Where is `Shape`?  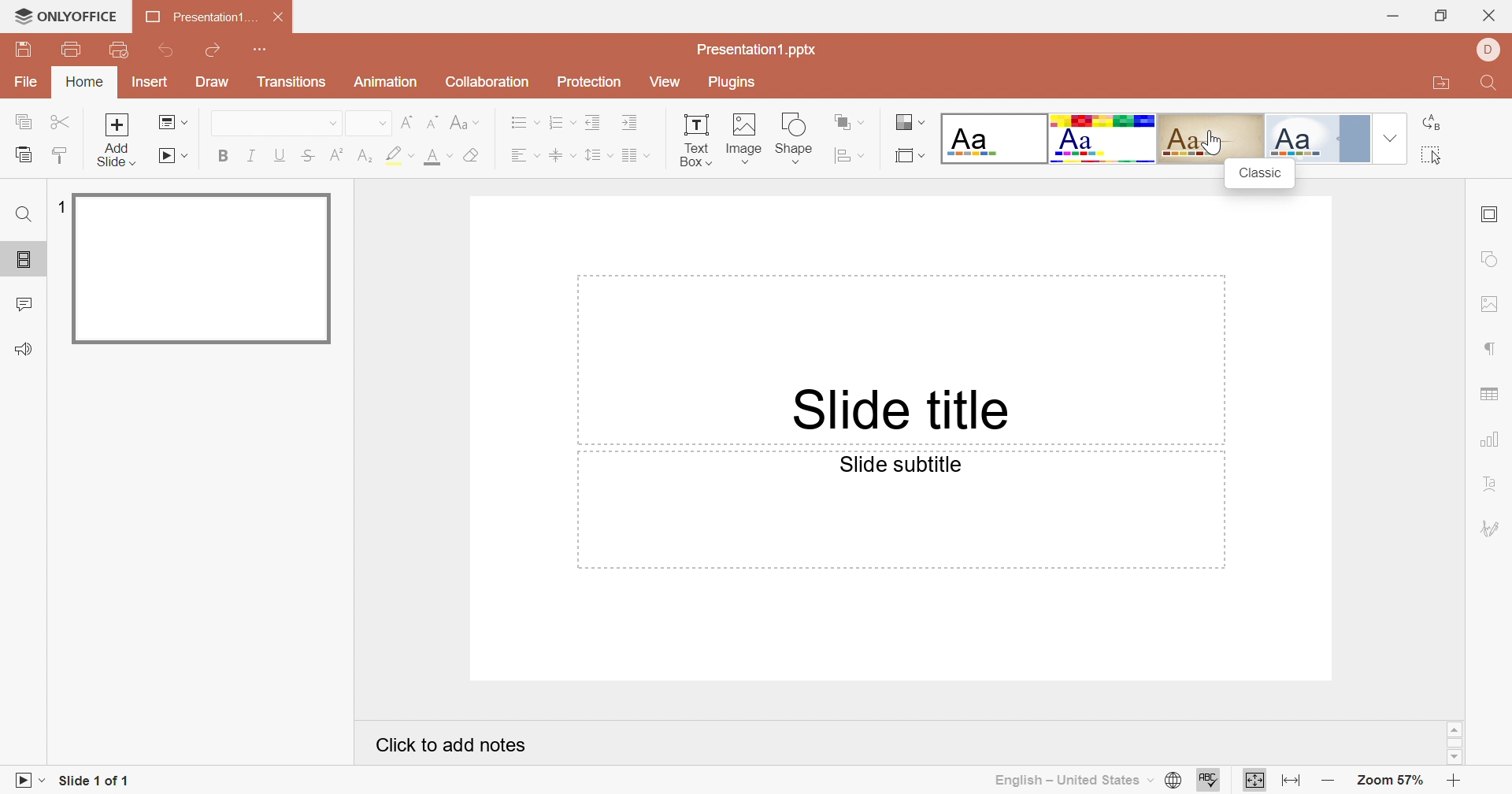 Shape is located at coordinates (791, 136).